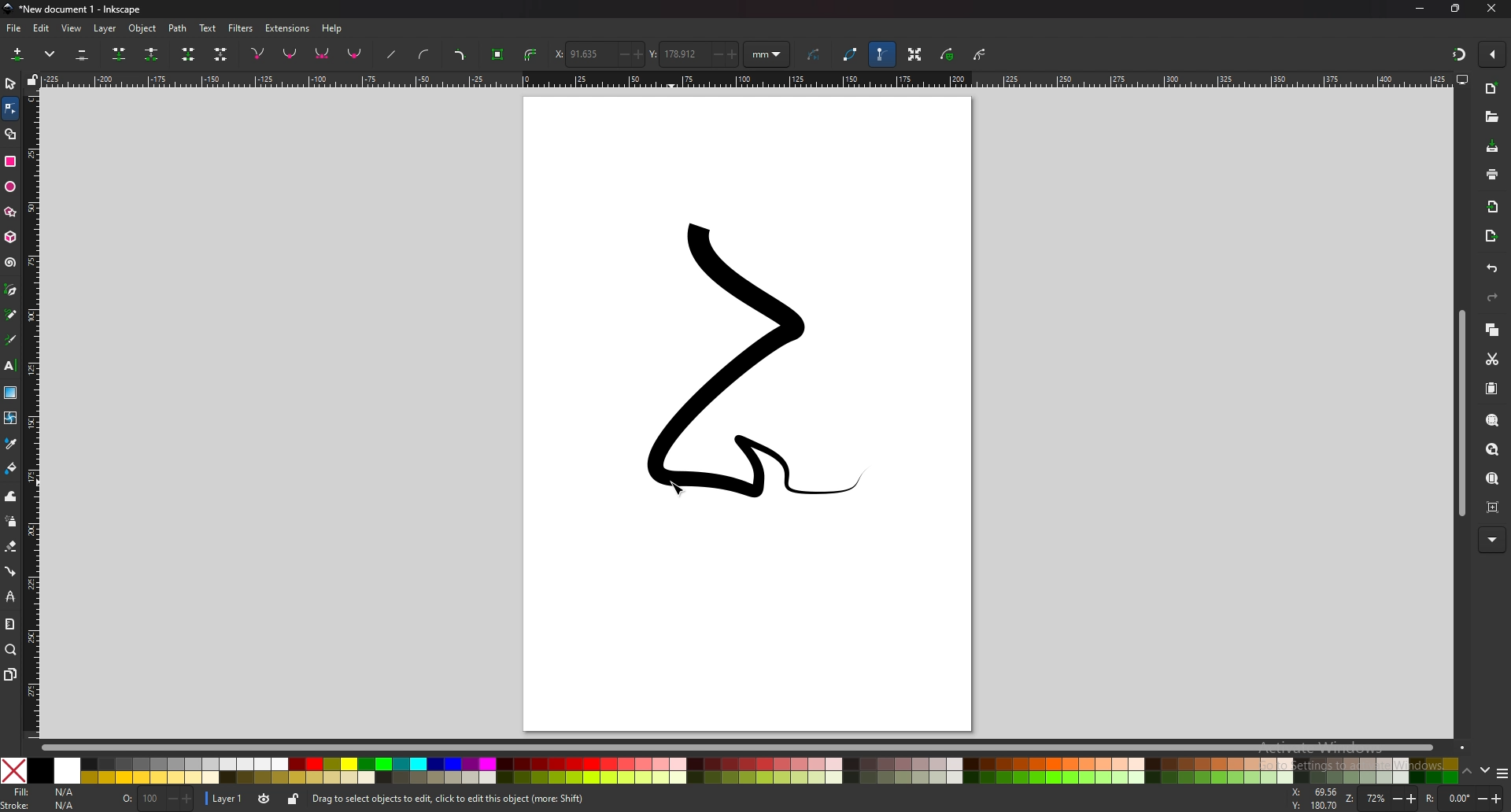 This screenshot has width=1511, height=812. Describe the element at coordinates (1483, 772) in the screenshot. I see `down` at that location.